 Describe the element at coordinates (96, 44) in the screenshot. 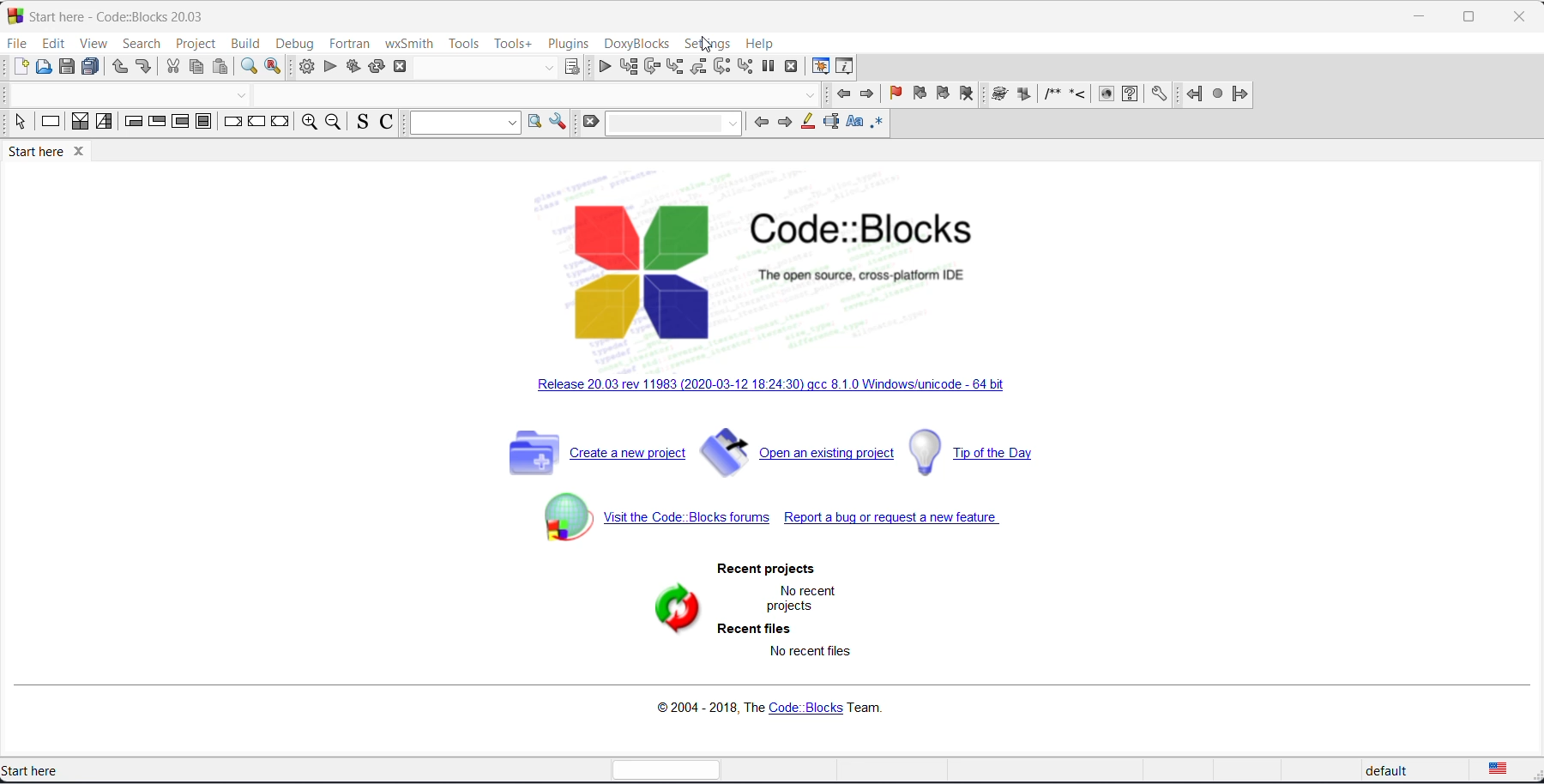

I see `view` at that location.